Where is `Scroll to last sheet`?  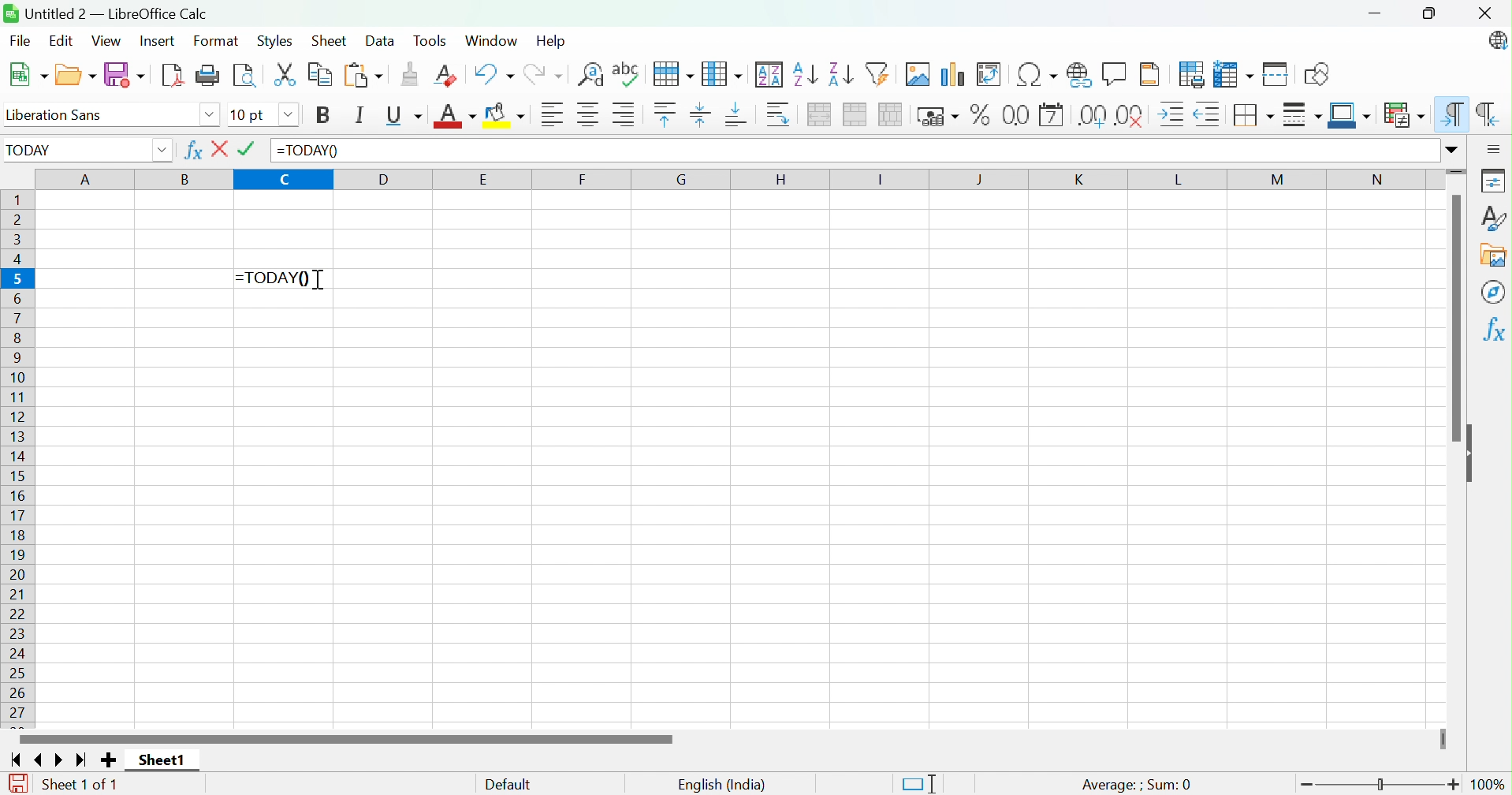
Scroll to last sheet is located at coordinates (84, 760).